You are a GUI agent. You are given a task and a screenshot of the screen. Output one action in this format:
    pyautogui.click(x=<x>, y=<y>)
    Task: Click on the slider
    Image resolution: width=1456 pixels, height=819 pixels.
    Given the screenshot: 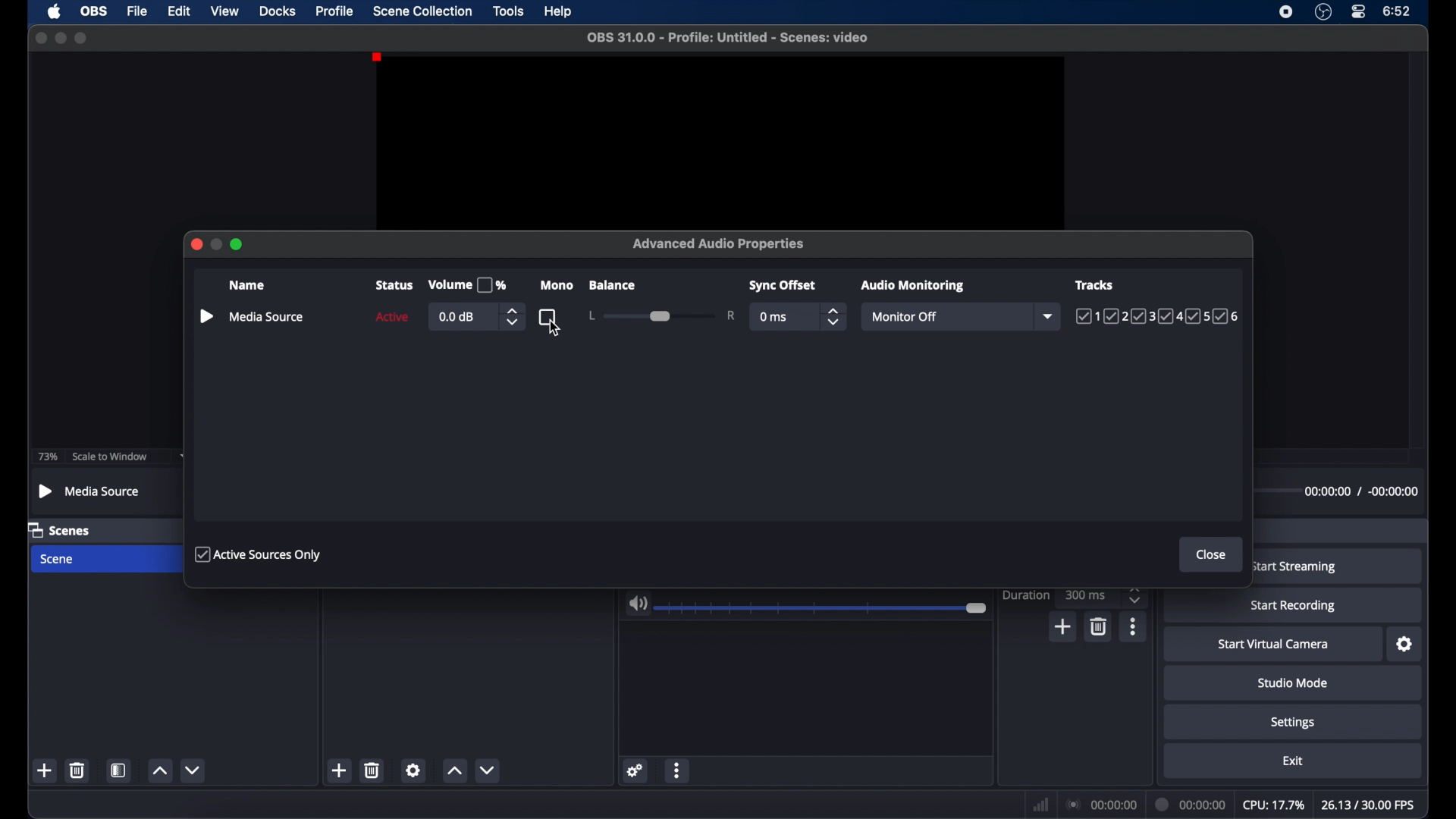 What is the action you would take?
    pyautogui.click(x=663, y=315)
    